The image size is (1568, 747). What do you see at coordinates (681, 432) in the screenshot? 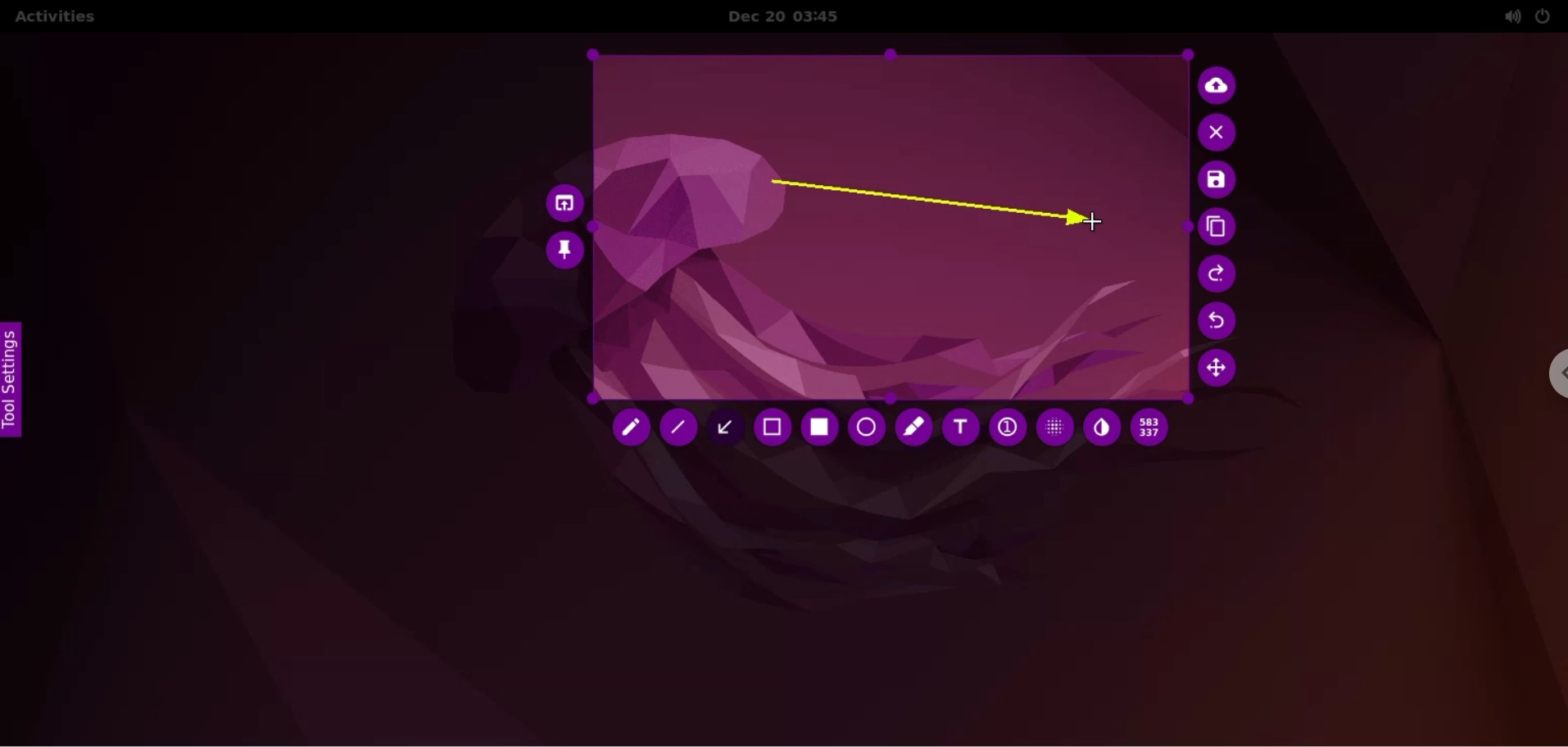
I see `line tool` at bounding box center [681, 432].